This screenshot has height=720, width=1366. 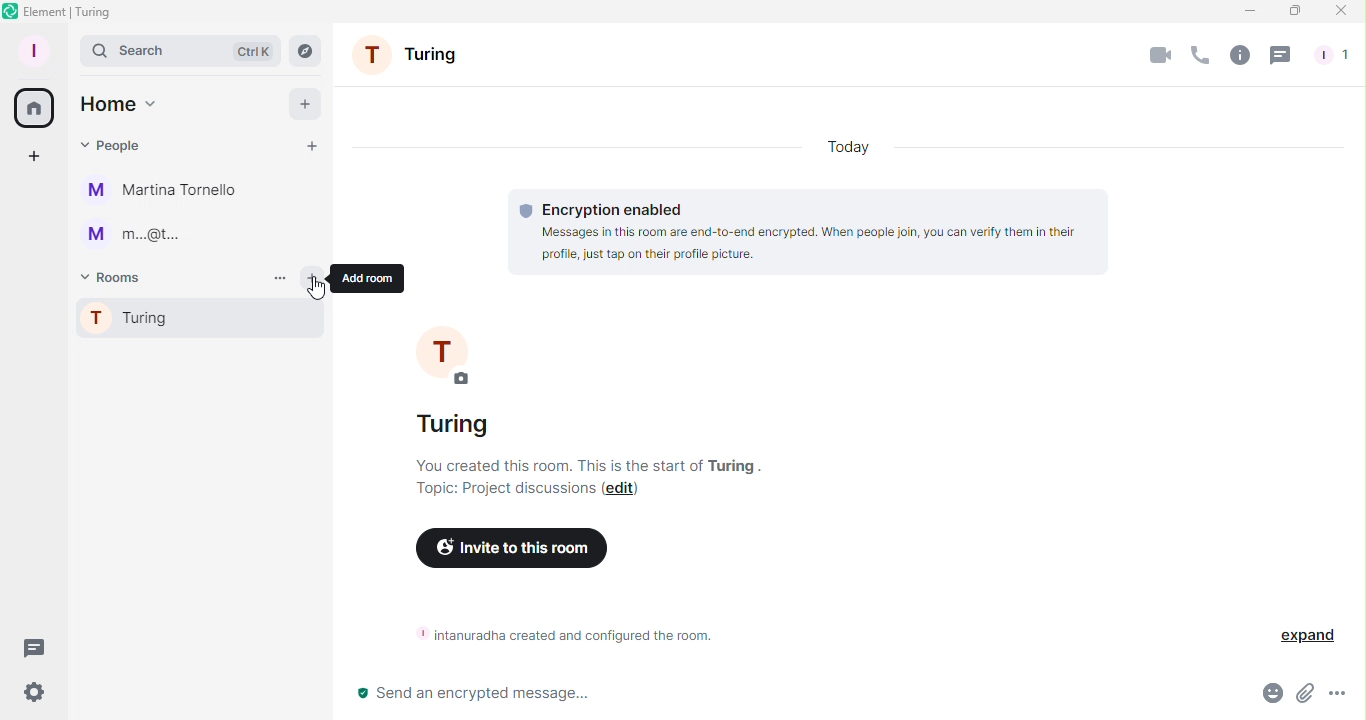 What do you see at coordinates (1304, 699) in the screenshot?
I see `Attachment` at bounding box center [1304, 699].